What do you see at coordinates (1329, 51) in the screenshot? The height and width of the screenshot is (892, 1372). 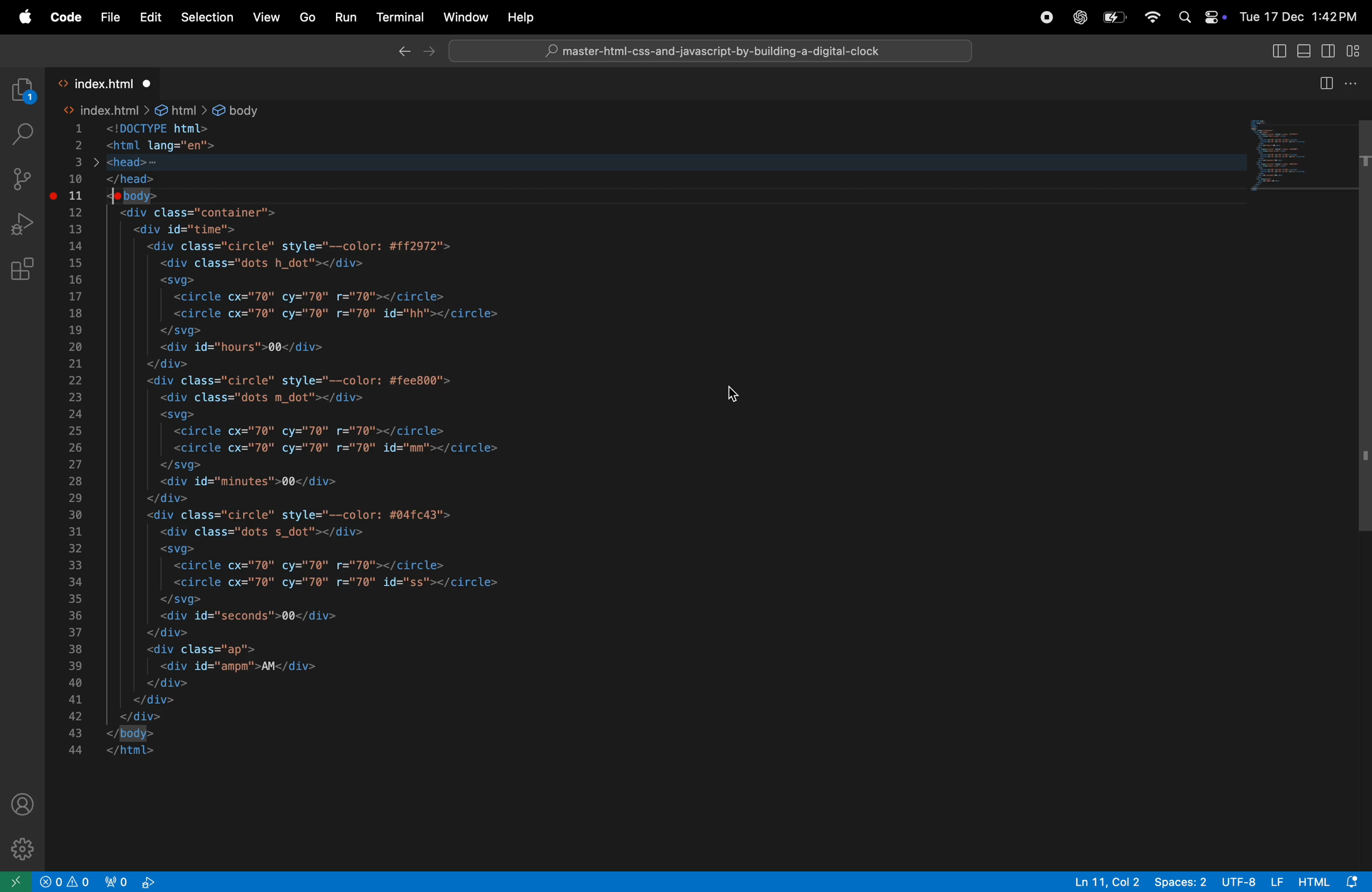 I see `view` at bounding box center [1329, 51].